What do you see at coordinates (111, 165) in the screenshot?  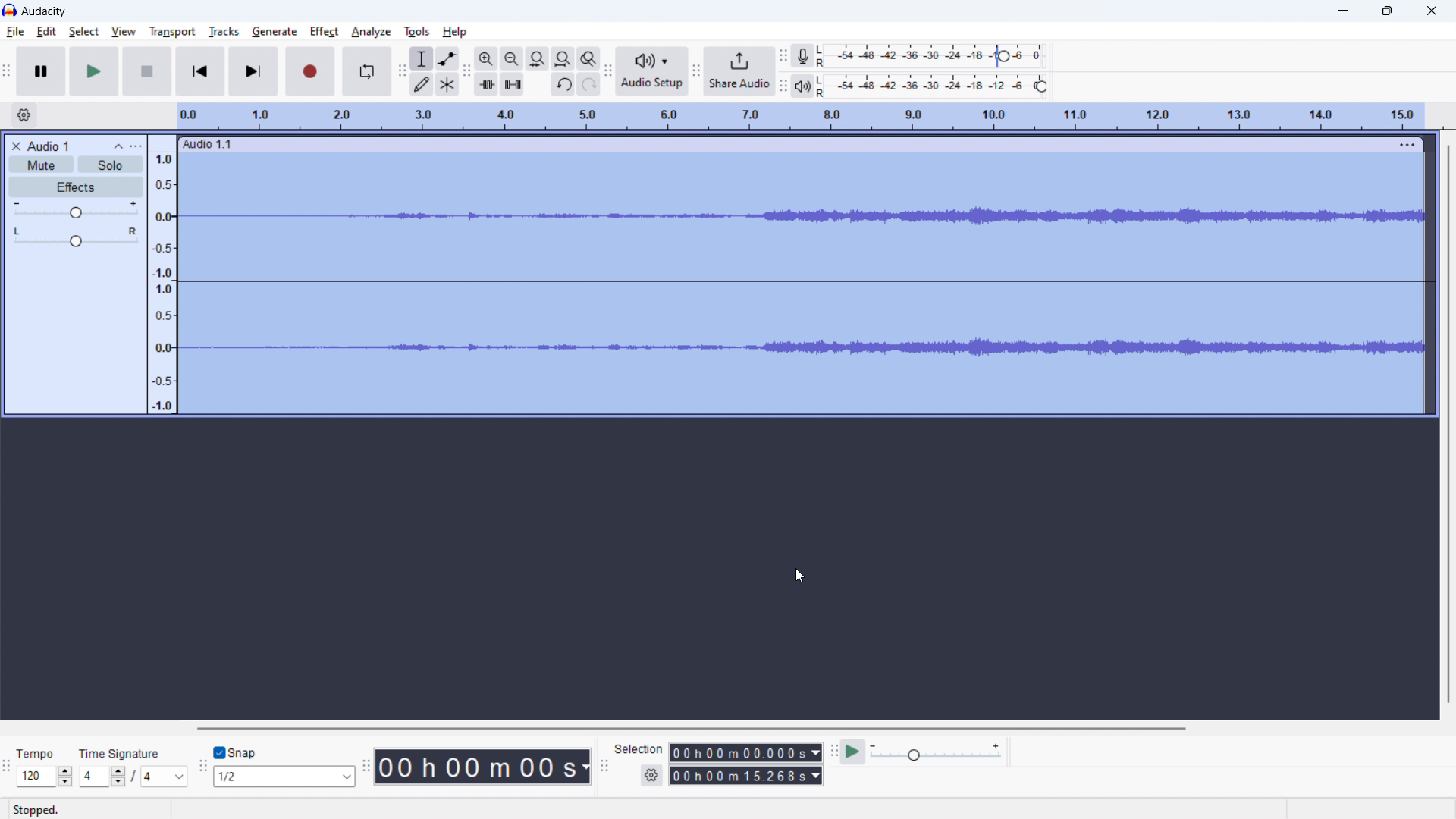 I see `solo` at bounding box center [111, 165].